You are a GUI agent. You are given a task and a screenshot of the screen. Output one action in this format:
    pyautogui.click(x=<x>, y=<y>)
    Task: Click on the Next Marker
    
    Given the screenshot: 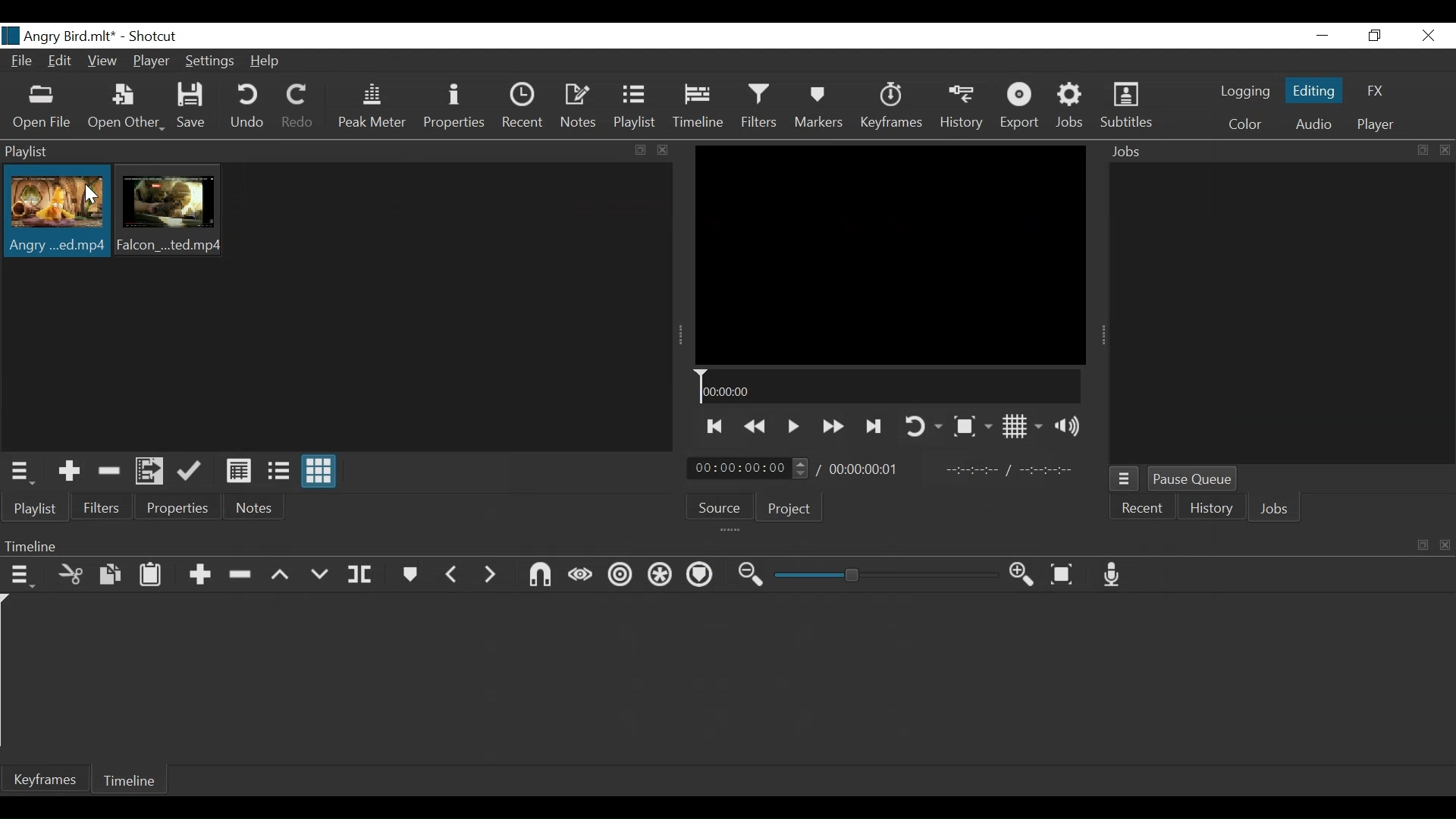 What is the action you would take?
    pyautogui.click(x=491, y=575)
    